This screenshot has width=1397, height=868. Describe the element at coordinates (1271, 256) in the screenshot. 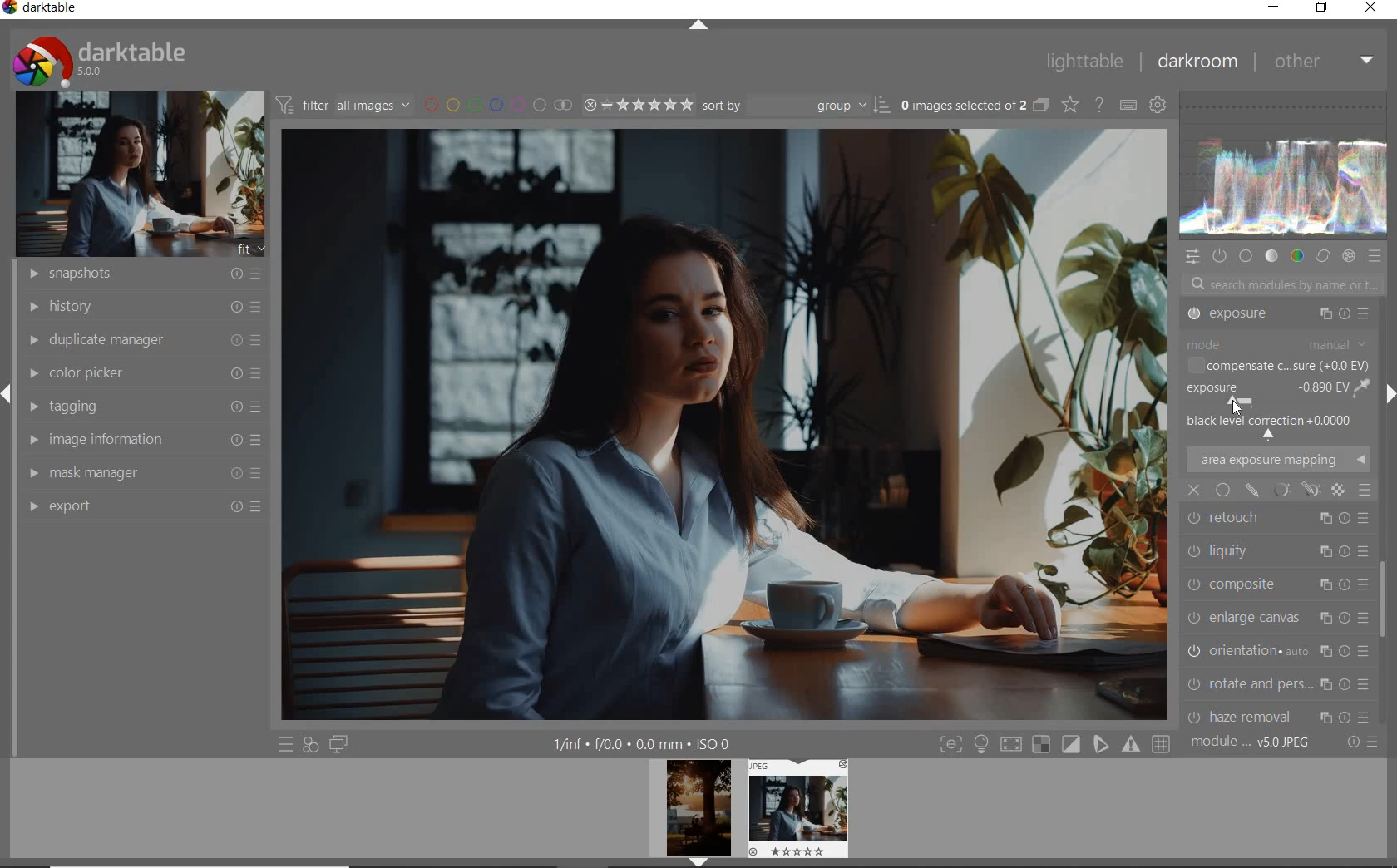

I see `TONE` at that location.